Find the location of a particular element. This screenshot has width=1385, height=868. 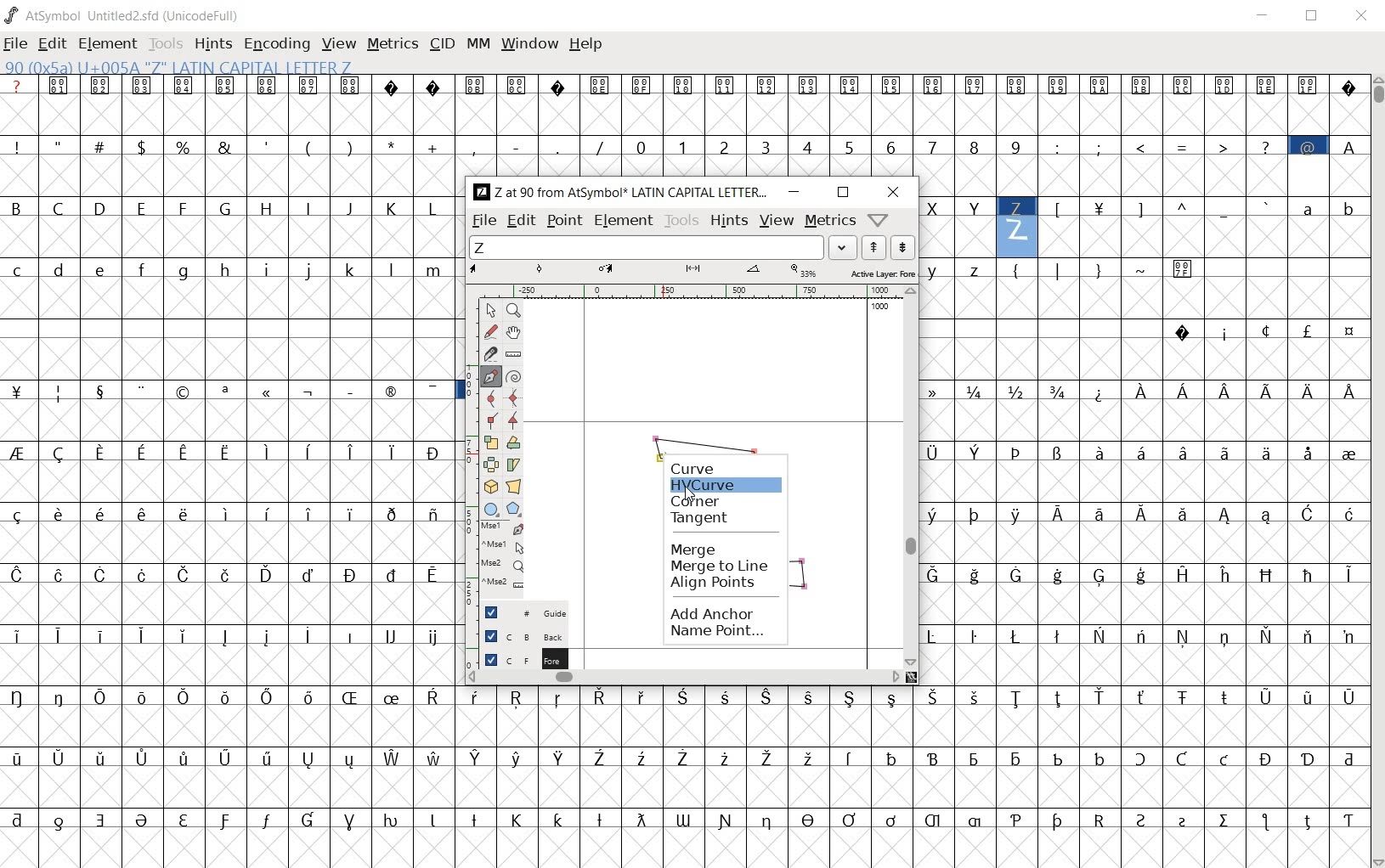

metrics is located at coordinates (830, 222).